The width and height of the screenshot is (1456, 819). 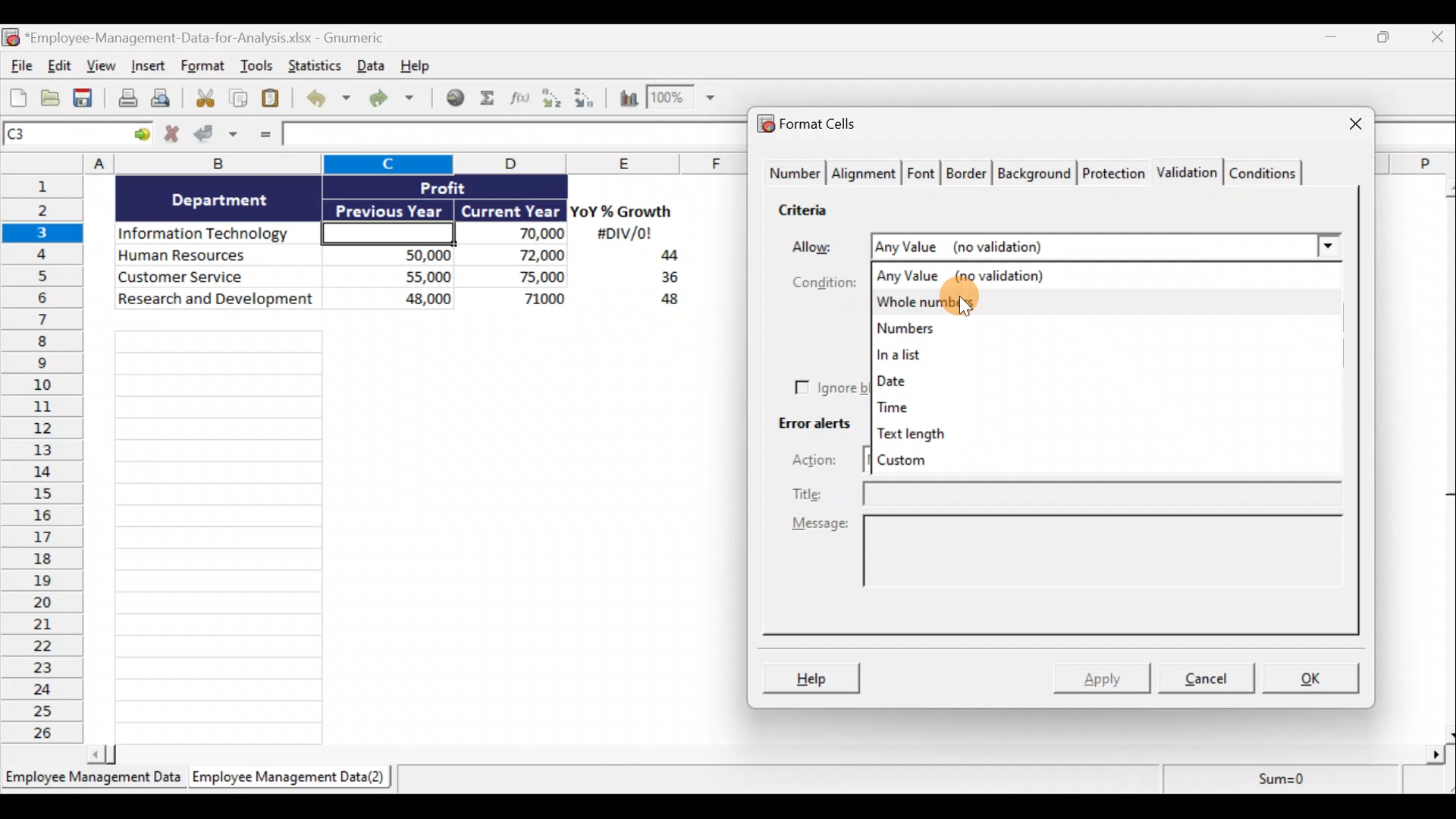 I want to click on Go to, so click(x=142, y=135).